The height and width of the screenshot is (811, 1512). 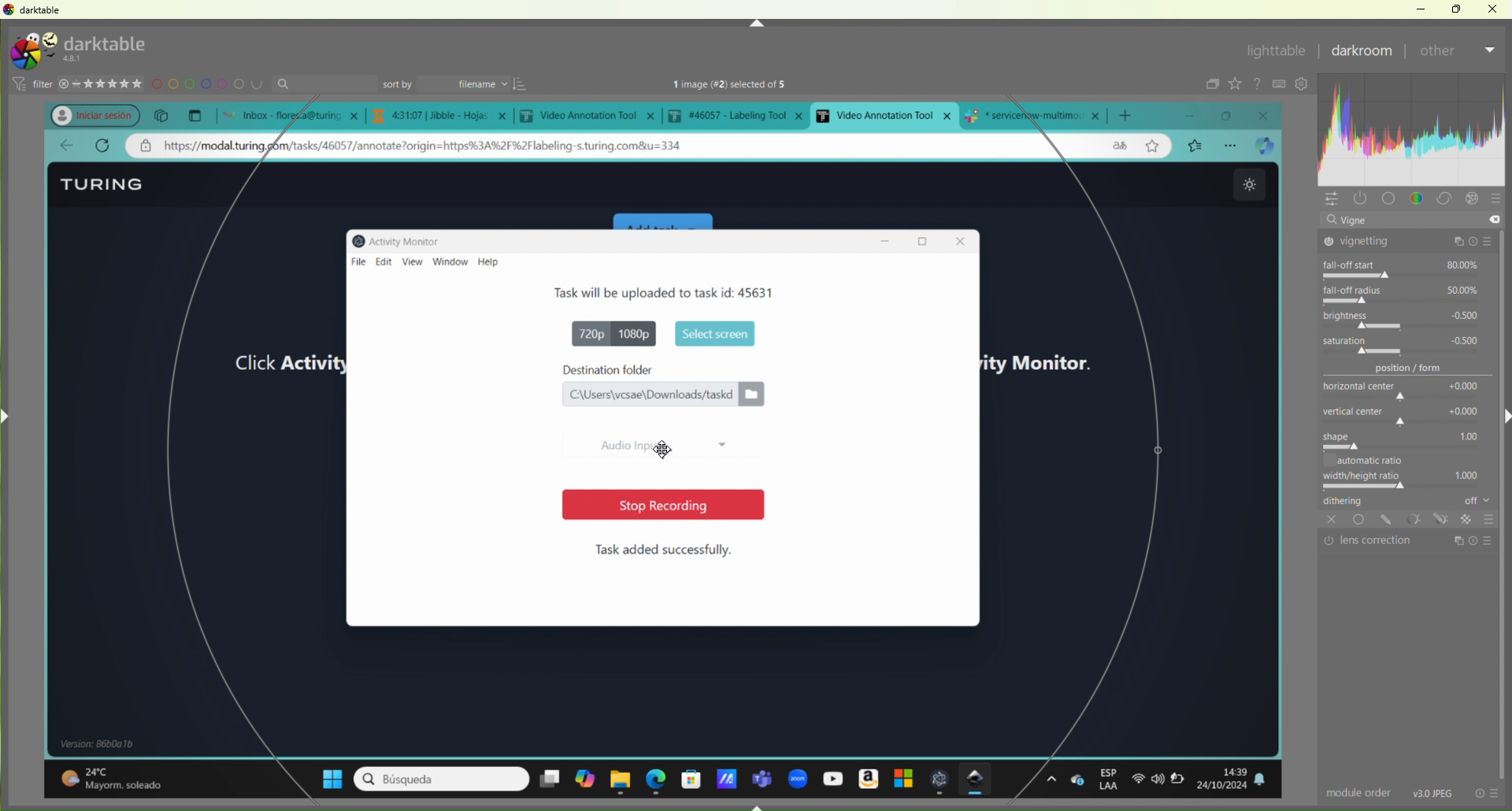 What do you see at coordinates (1402, 501) in the screenshot?
I see `dithering` at bounding box center [1402, 501].